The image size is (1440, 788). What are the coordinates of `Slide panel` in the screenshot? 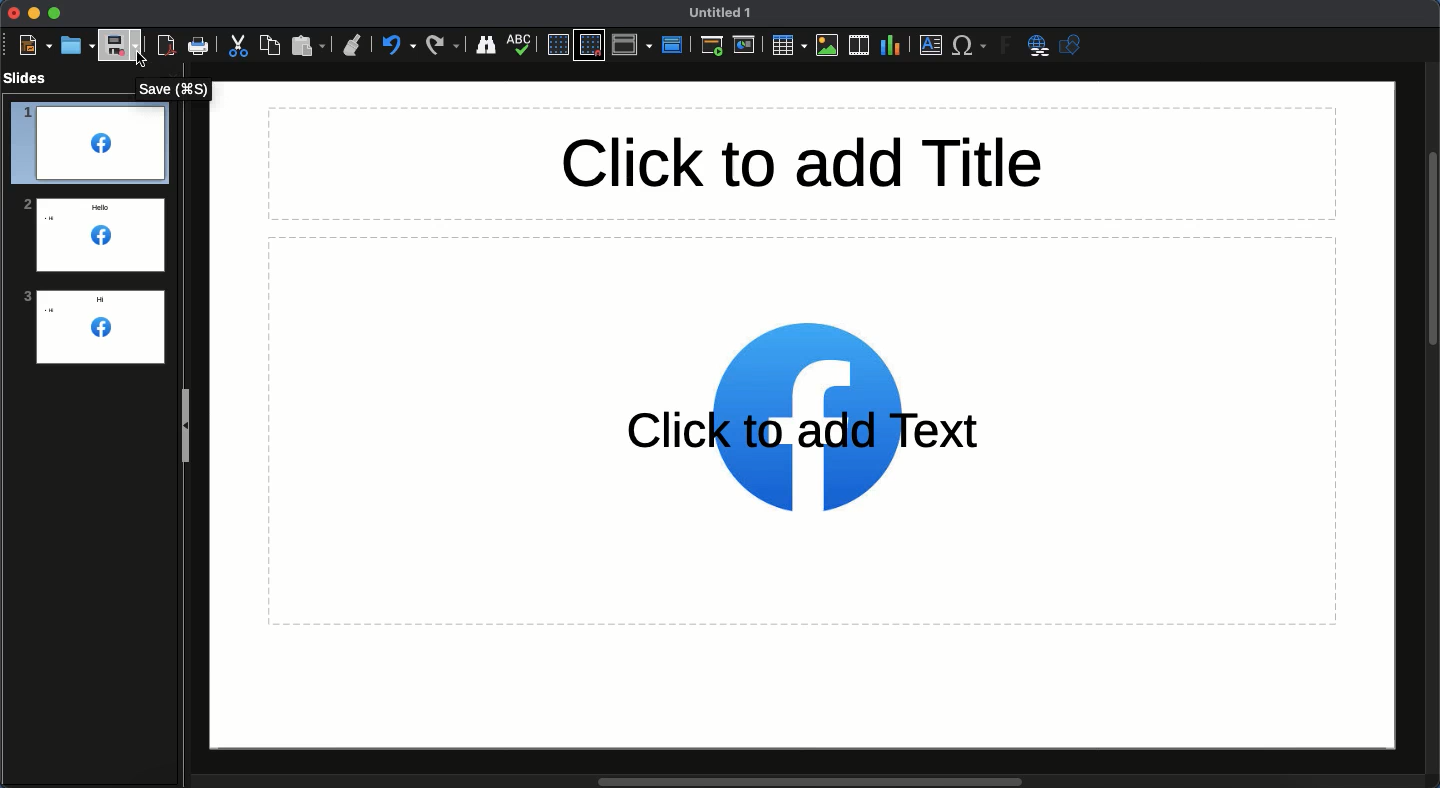 It's located at (186, 427).